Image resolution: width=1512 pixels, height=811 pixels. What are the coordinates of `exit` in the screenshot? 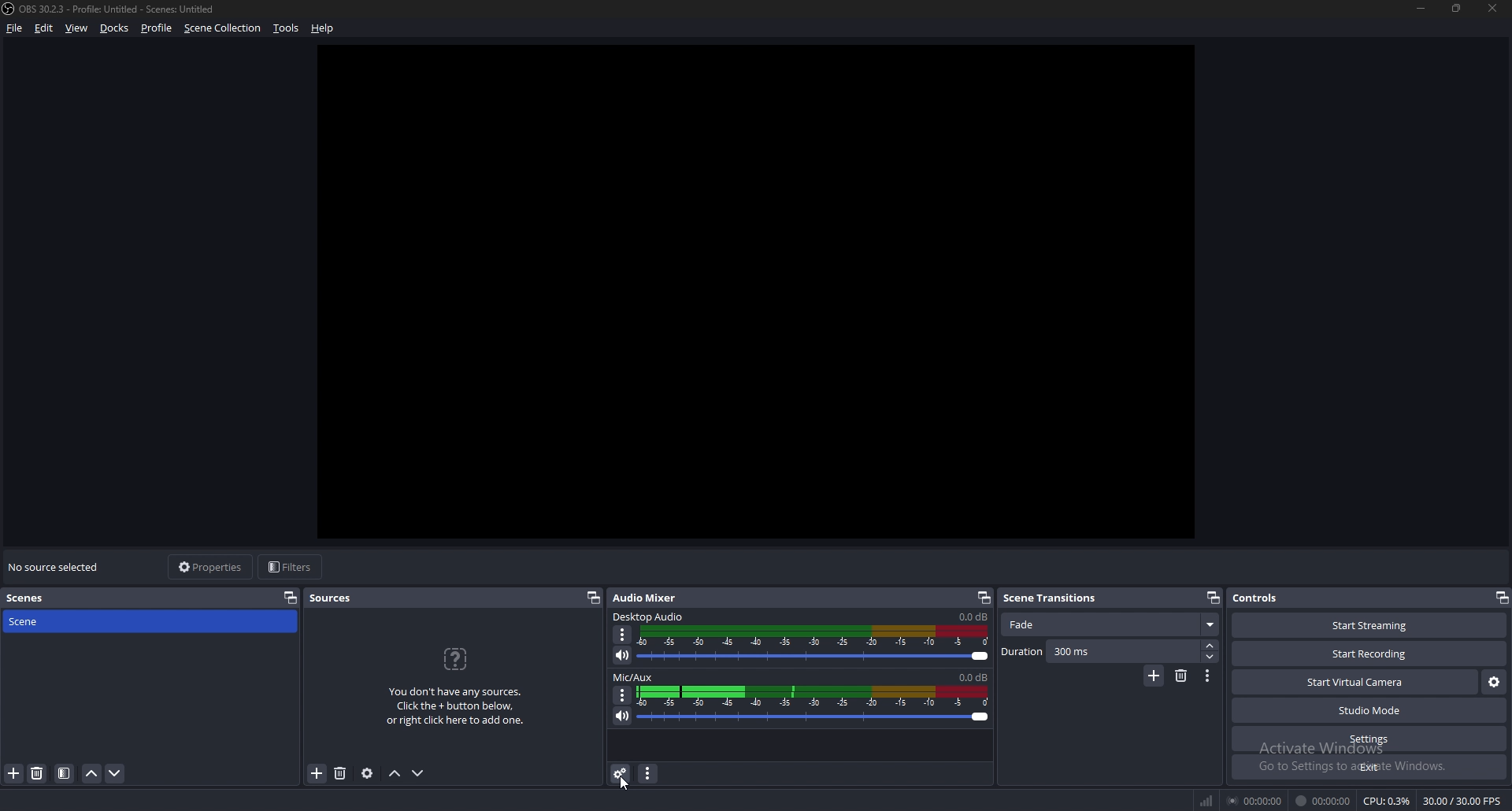 It's located at (1369, 768).